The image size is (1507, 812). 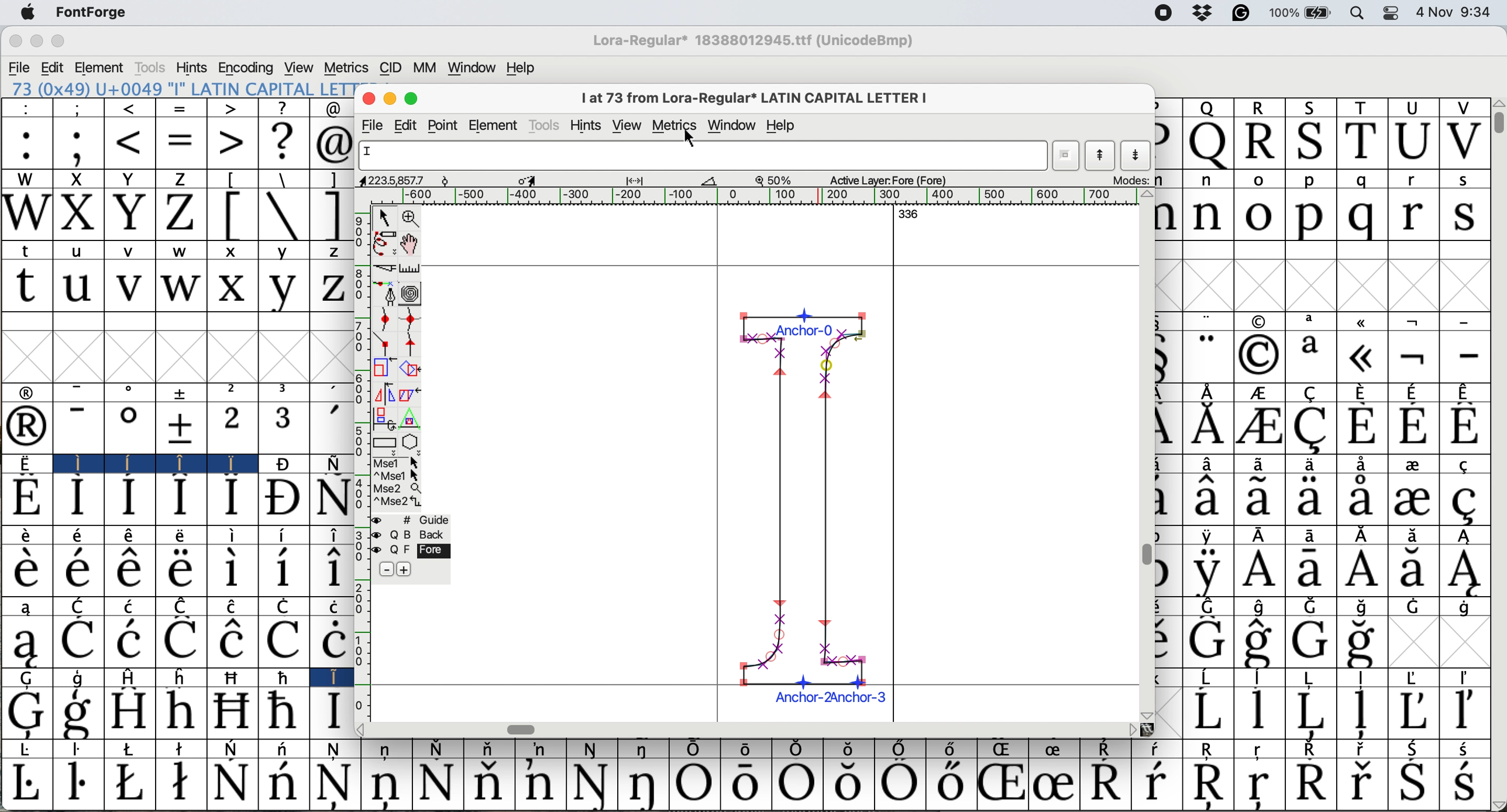 I want to click on Symbol, so click(x=232, y=536).